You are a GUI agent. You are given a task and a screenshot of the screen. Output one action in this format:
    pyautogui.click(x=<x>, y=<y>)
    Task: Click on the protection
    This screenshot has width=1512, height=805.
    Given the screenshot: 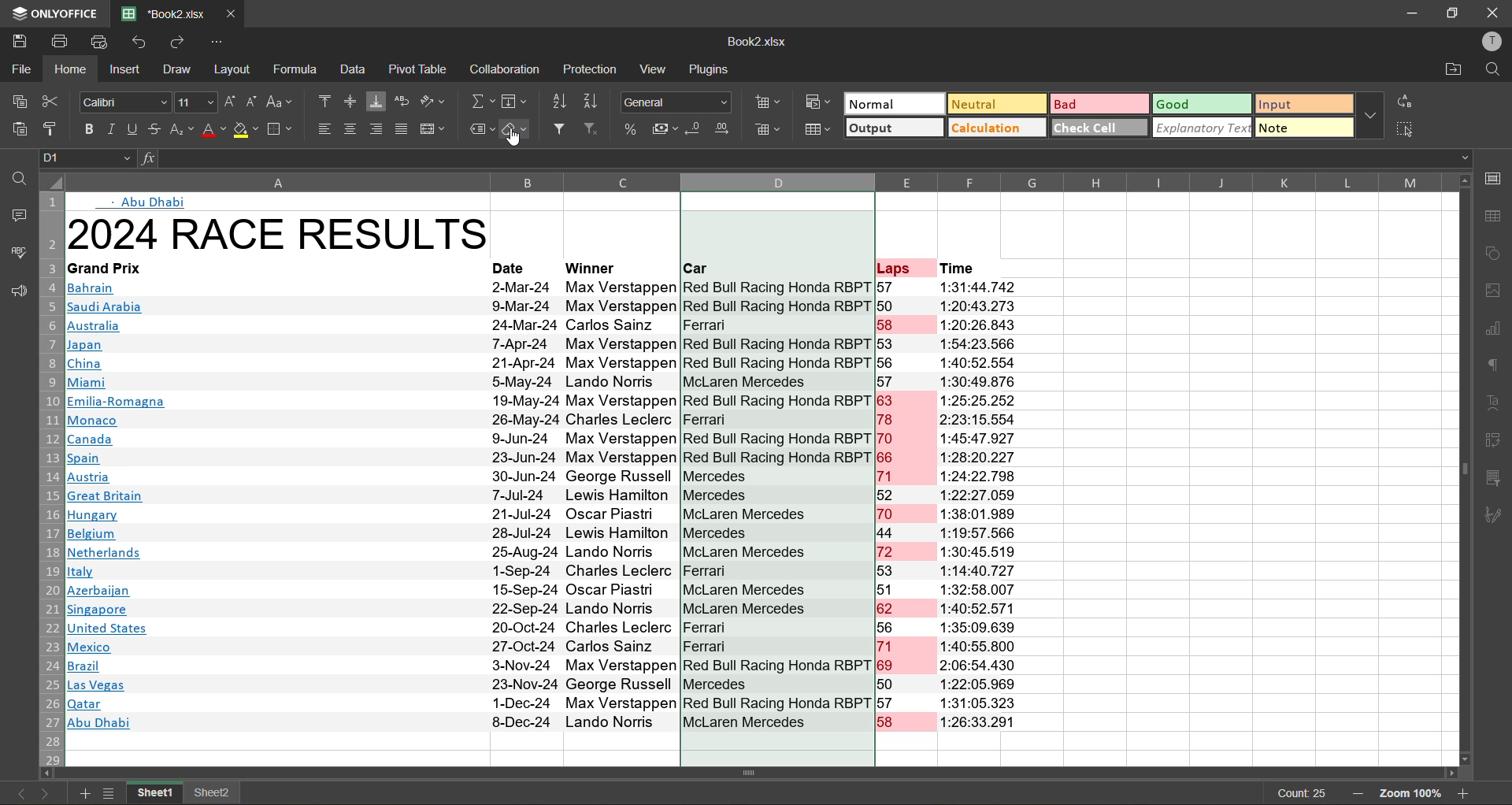 What is the action you would take?
    pyautogui.click(x=591, y=69)
    